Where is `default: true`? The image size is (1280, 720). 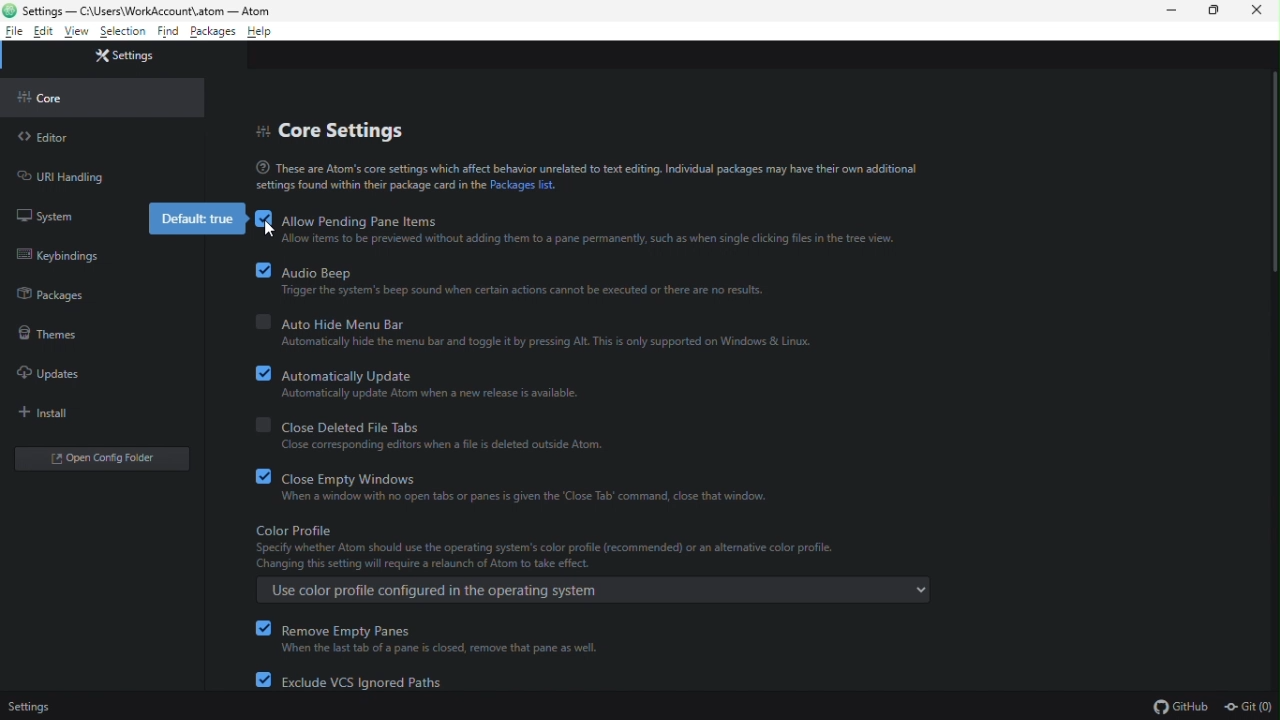 default: true is located at coordinates (196, 218).